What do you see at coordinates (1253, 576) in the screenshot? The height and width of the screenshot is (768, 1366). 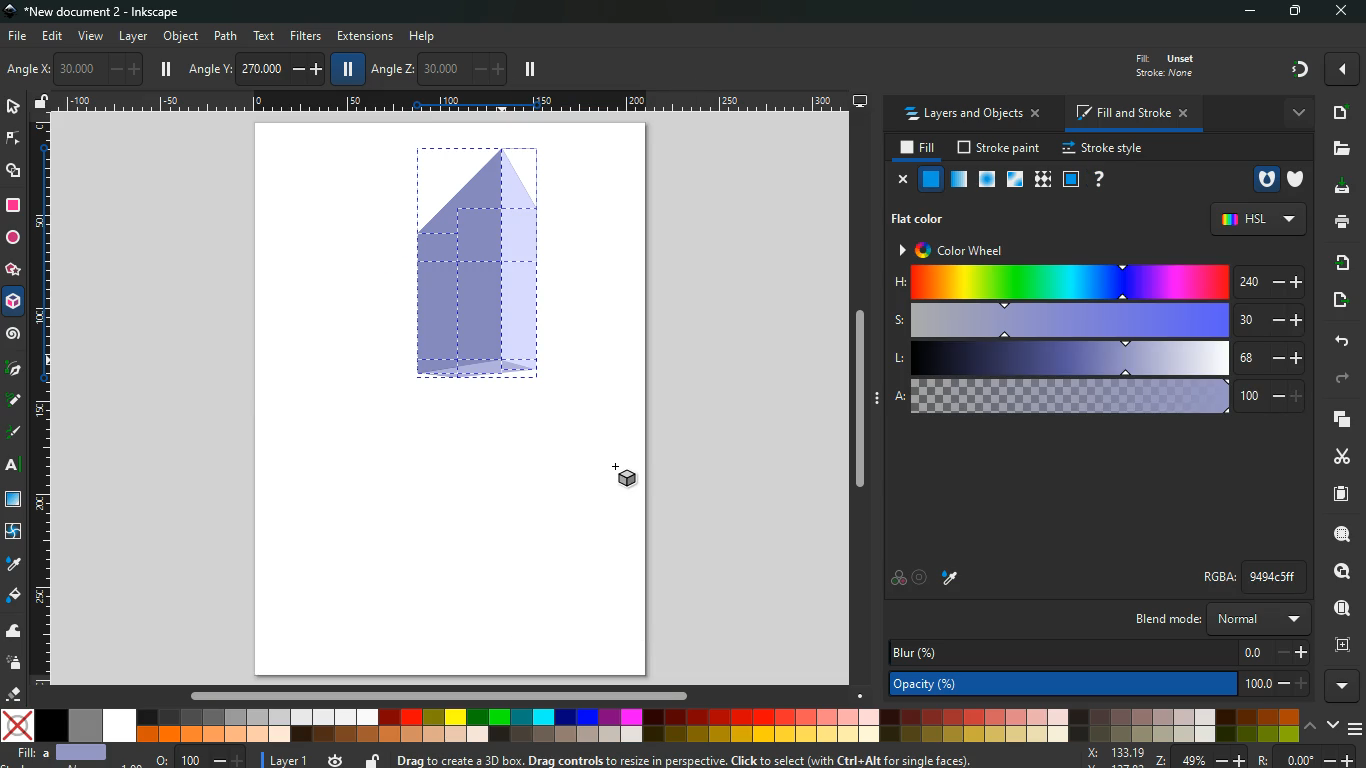 I see `rgba` at bounding box center [1253, 576].